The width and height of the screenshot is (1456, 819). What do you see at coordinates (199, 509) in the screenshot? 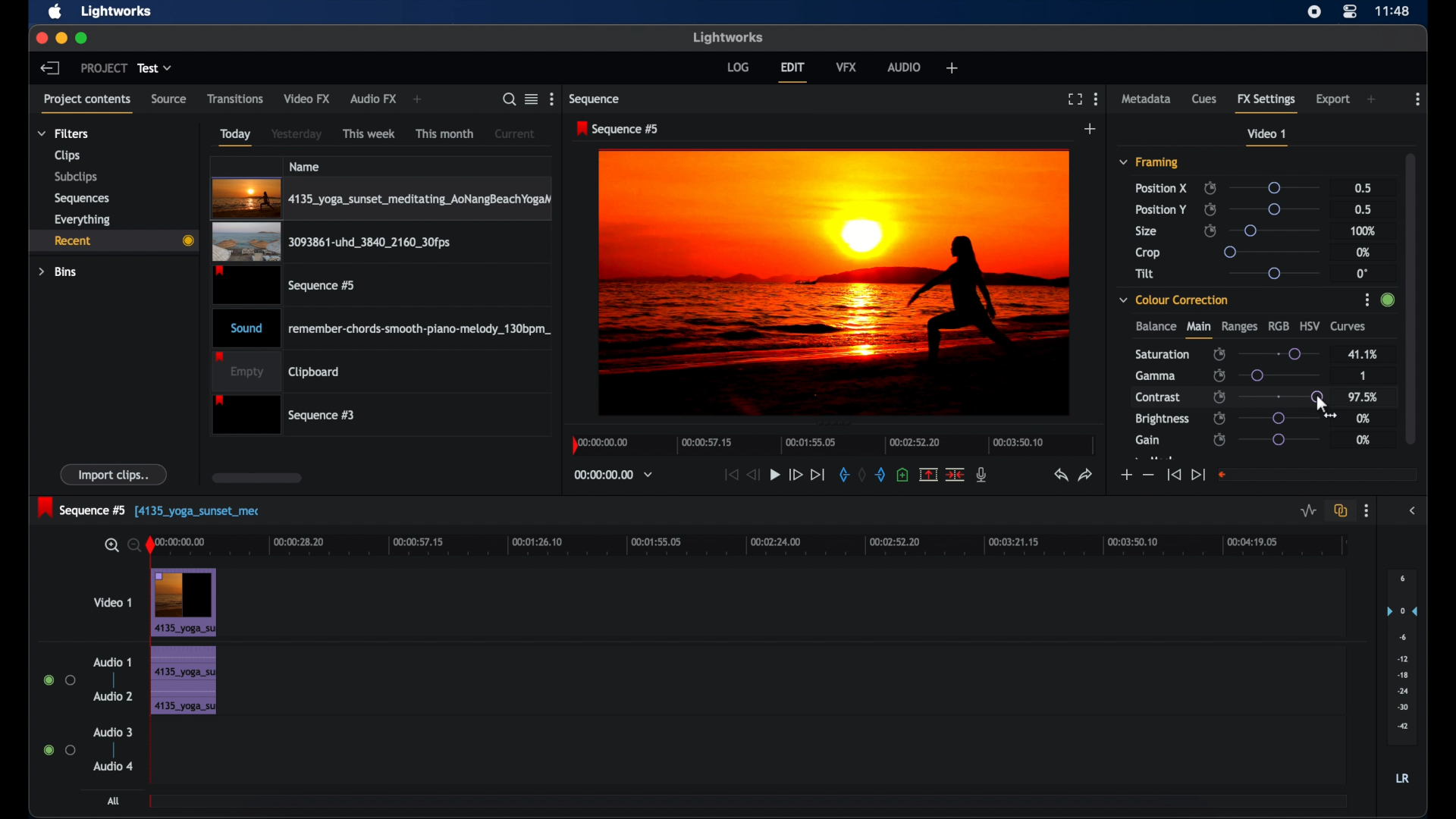
I see `text` at bounding box center [199, 509].